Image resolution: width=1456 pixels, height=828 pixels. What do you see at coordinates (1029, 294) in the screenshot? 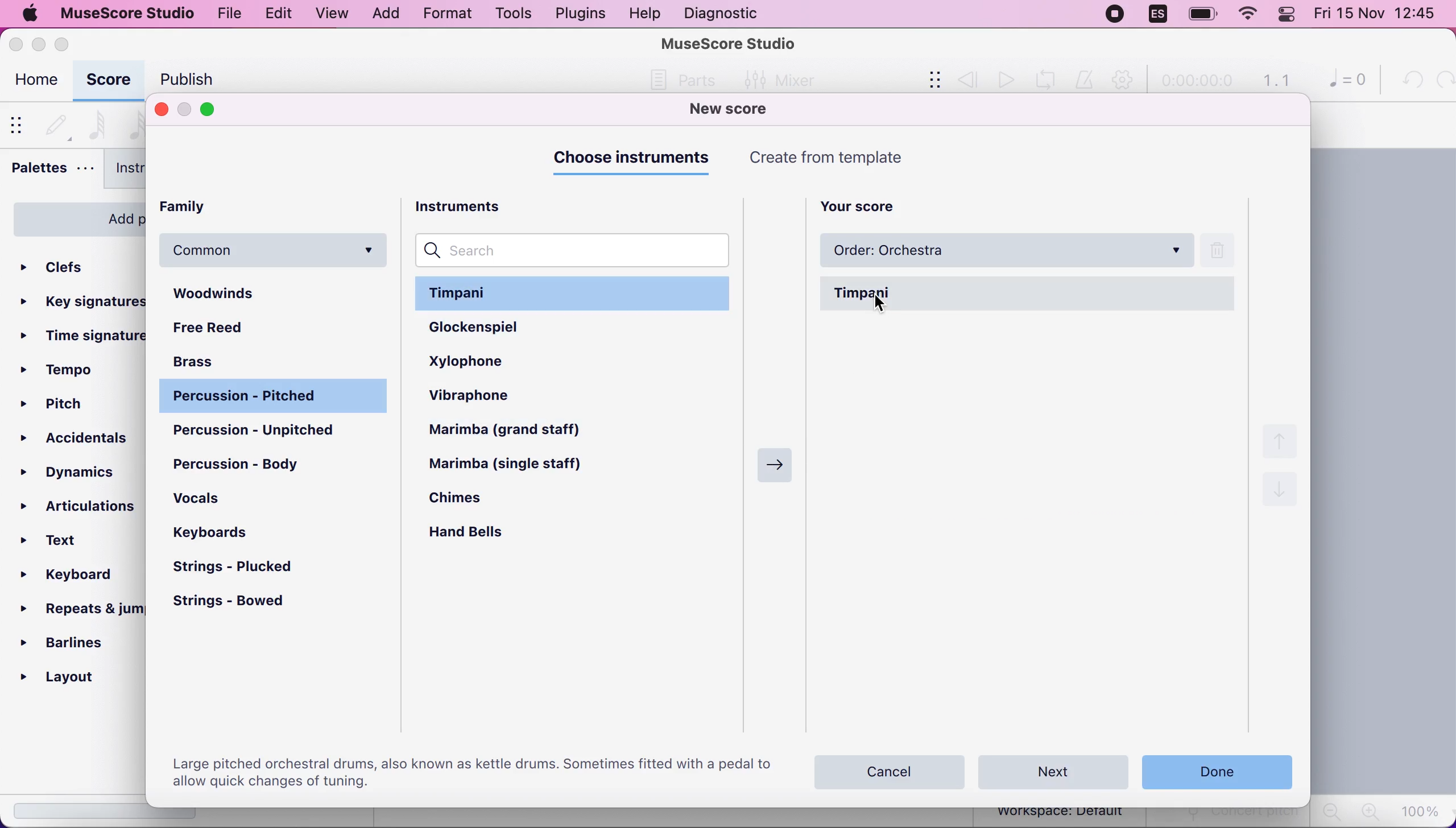
I see `timpani` at bounding box center [1029, 294].